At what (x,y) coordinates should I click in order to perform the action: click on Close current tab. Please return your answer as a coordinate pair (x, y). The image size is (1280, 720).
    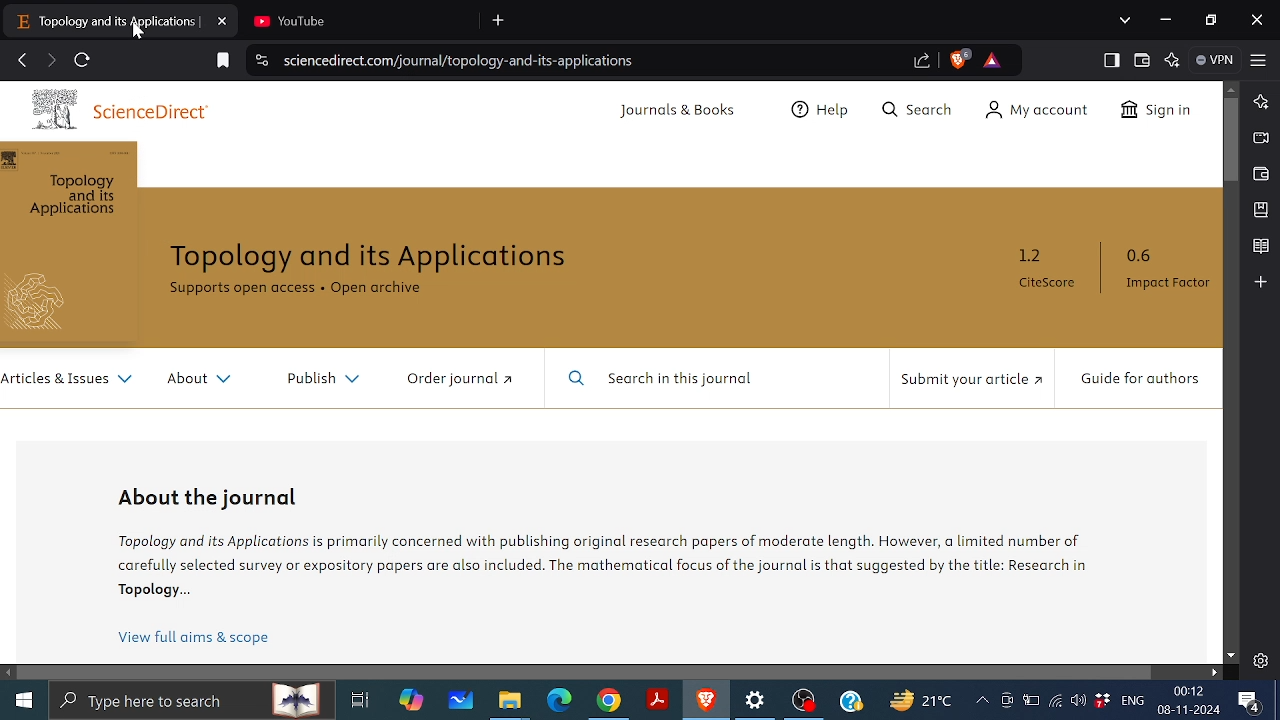
    Looking at the image, I should click on (224, 19).